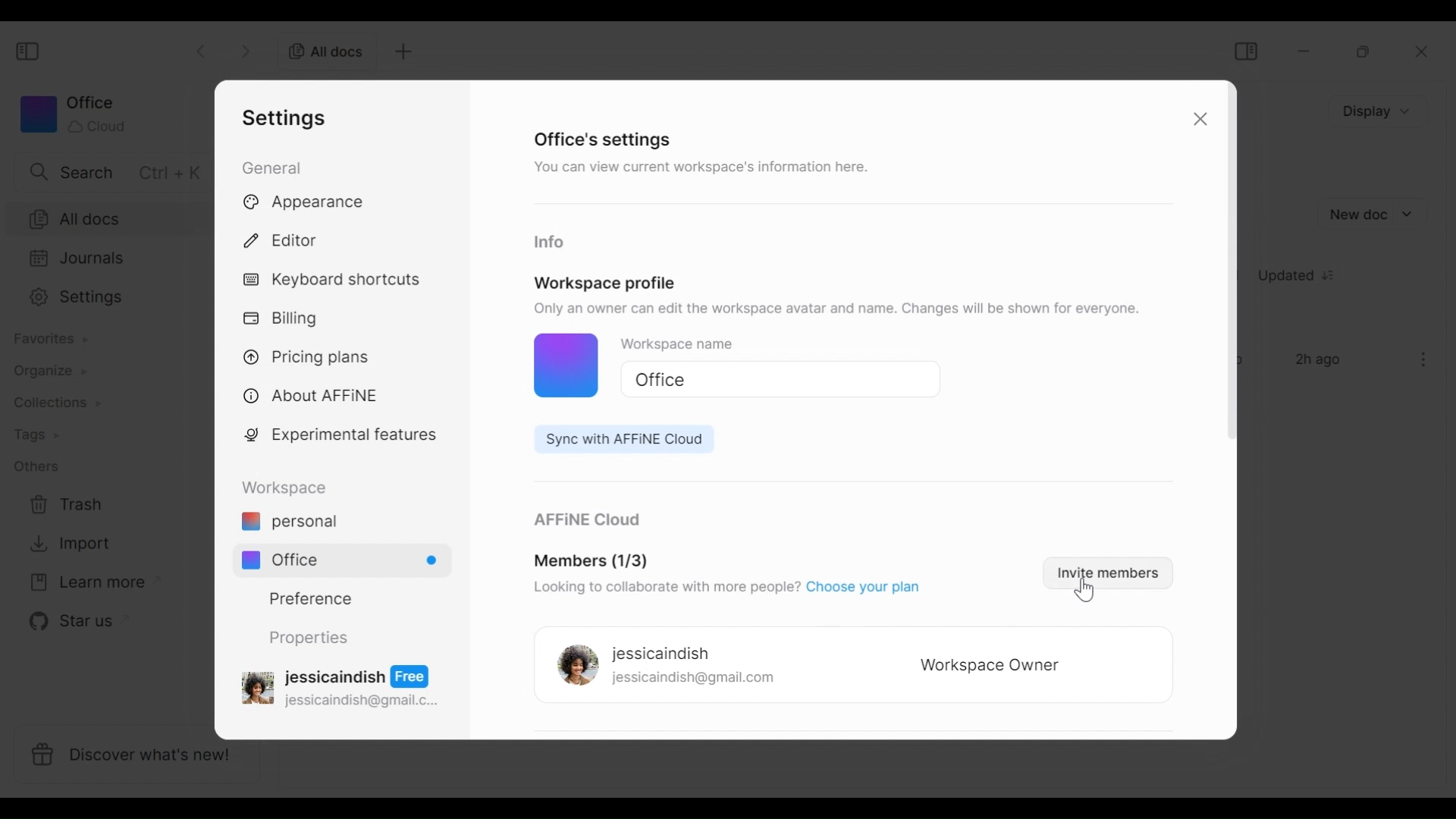  What do you see at coordinates (605, 283) in the screenshot?
I see `Workspace profile` at bounding box center [605, 283].